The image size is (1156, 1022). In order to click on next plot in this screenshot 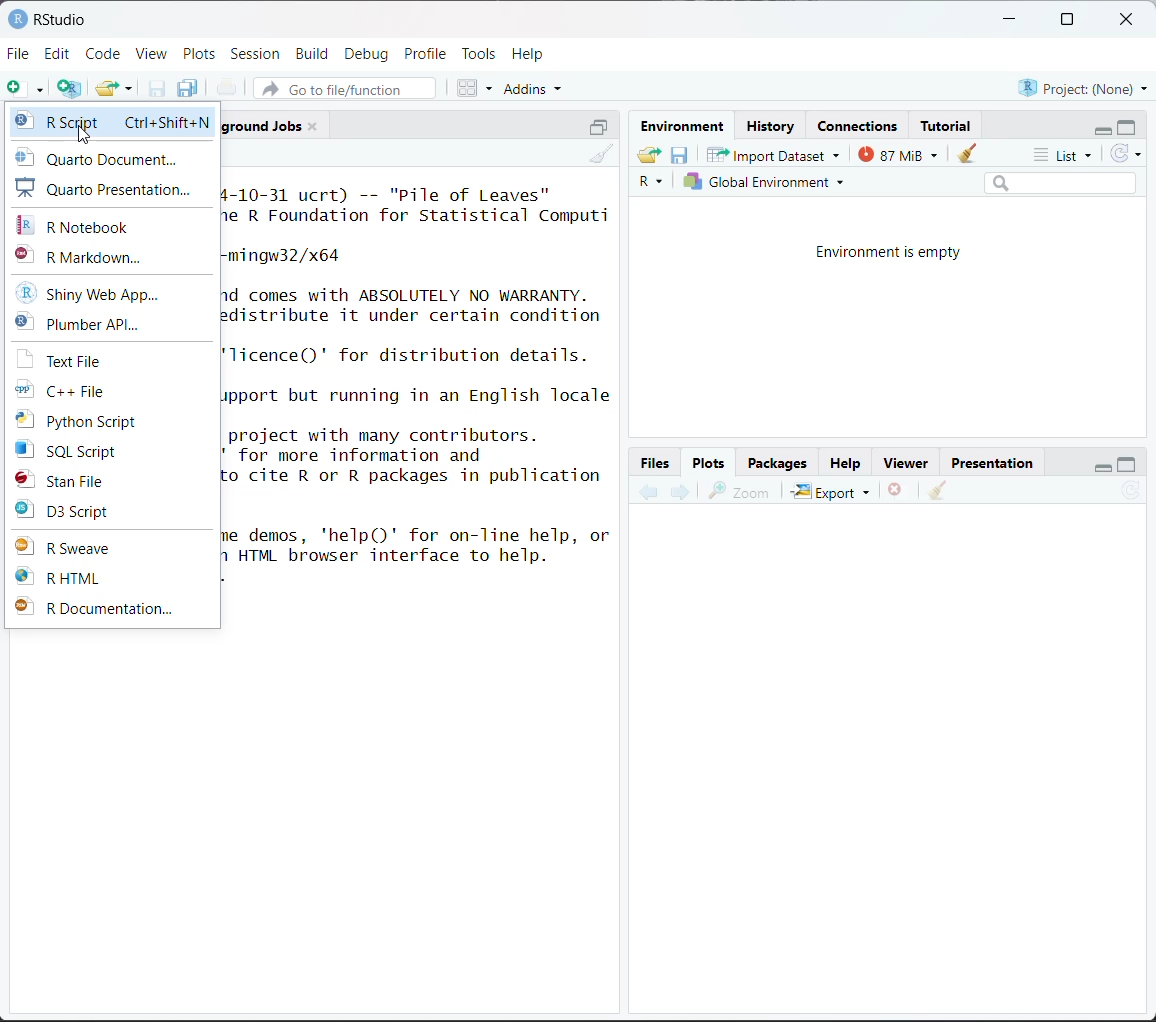, I will do `click(678, 492)`.